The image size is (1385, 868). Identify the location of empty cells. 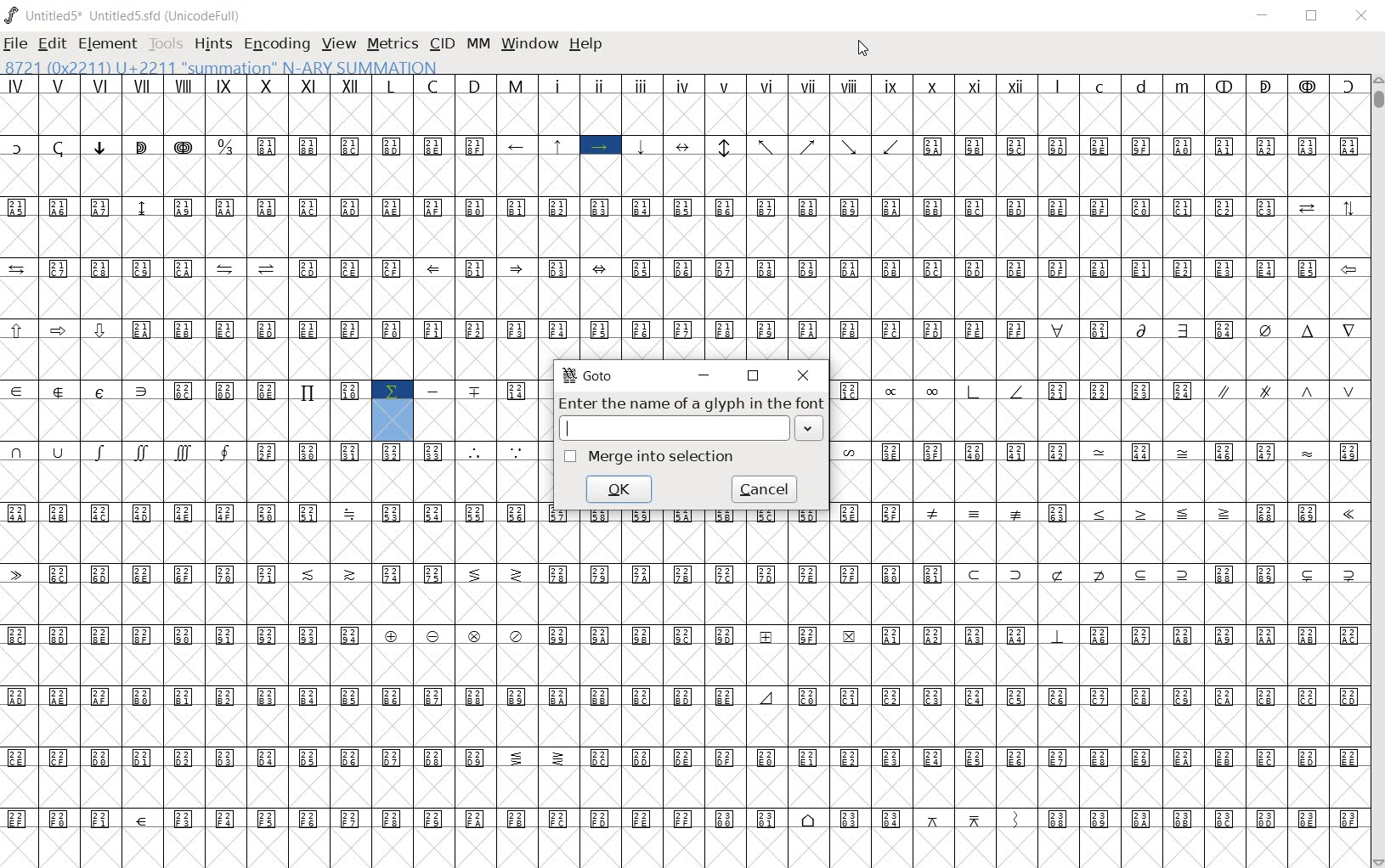
(684, 603).